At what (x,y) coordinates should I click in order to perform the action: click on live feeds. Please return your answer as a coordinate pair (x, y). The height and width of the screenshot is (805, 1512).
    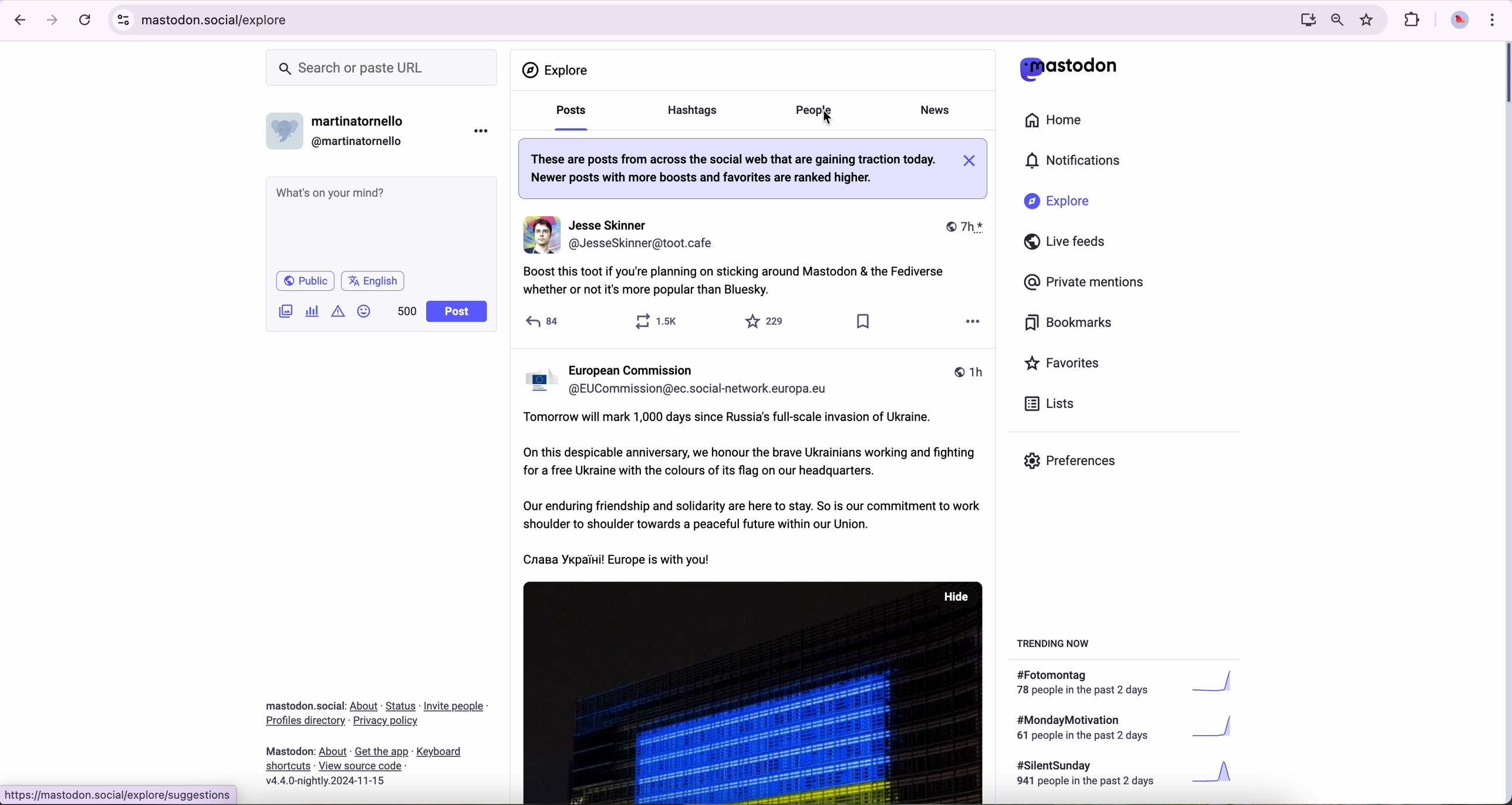
    Looking at the image, I should click on (1069, 244).